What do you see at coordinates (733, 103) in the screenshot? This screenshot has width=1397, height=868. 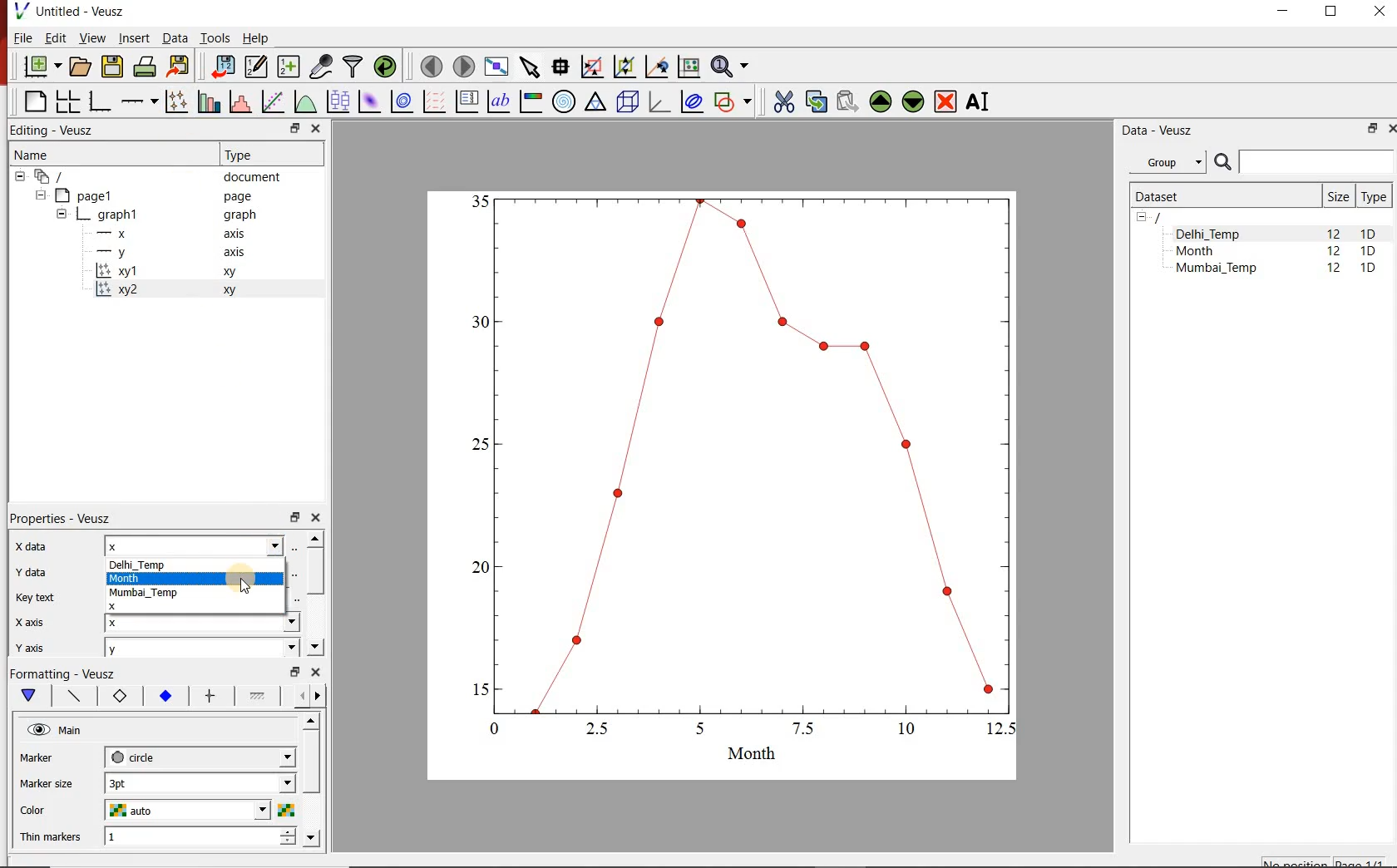 I see `add a shape to the plot` at bounding box center [733, 103].